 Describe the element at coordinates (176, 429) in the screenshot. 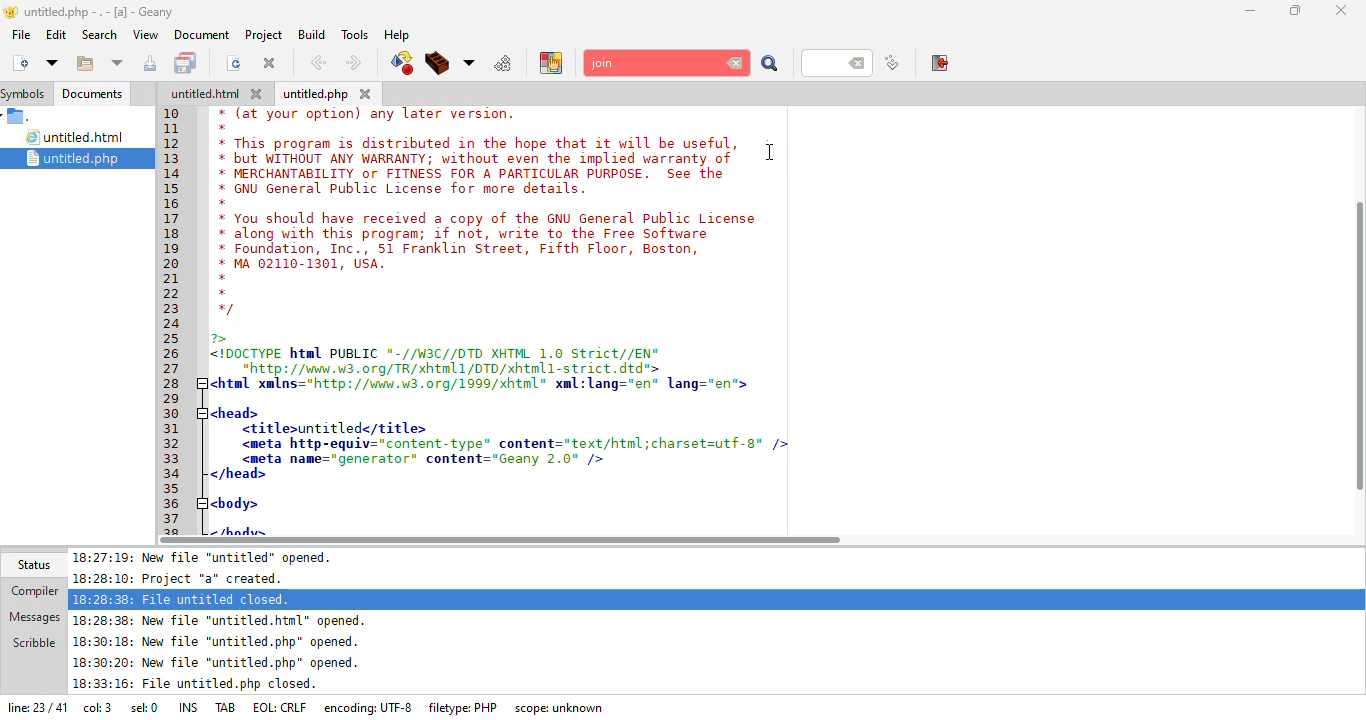

I see `31` at that location.